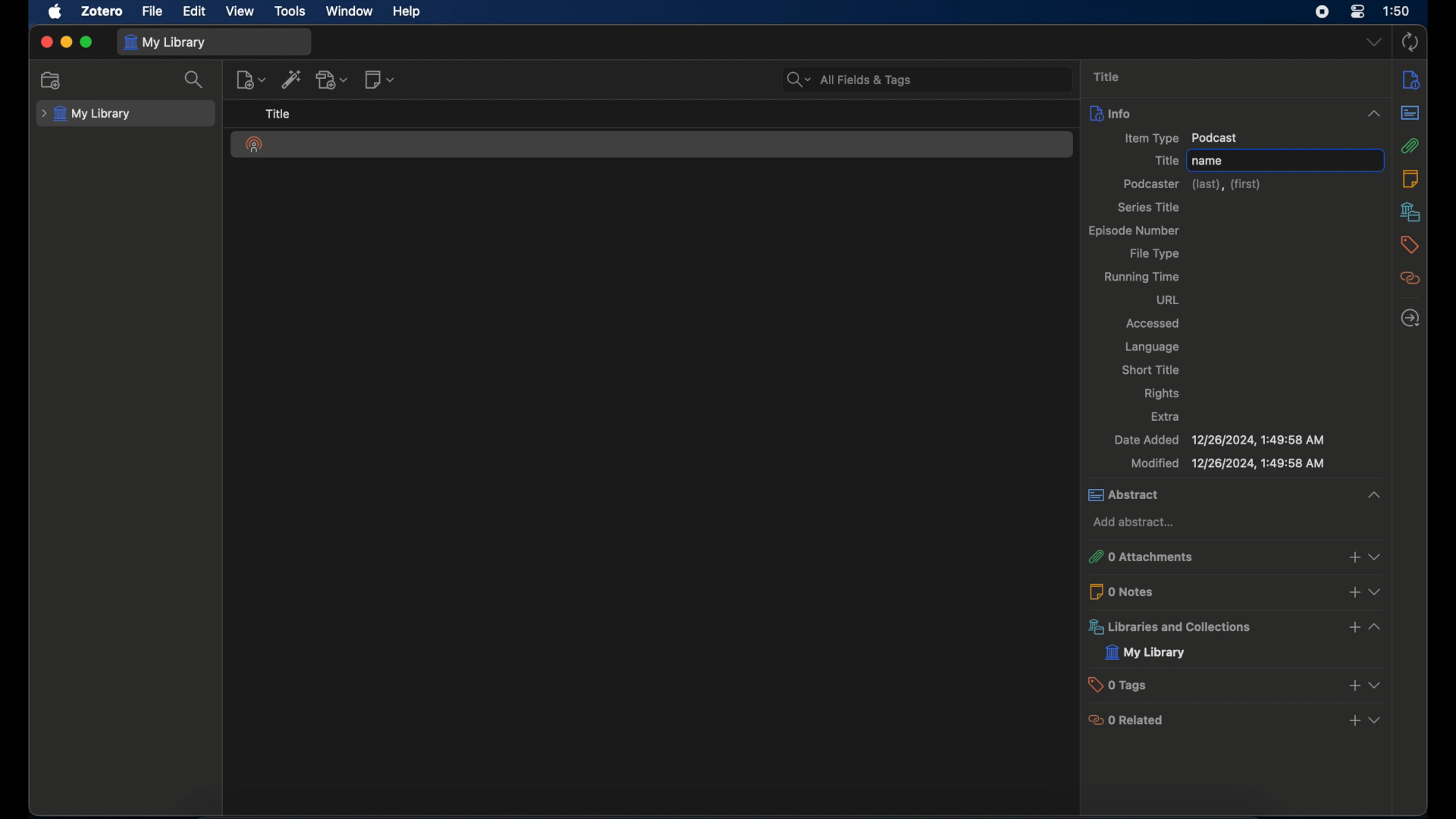 The height and width of the screenshot is (819, 1456). What do you see at coordinates (251, 80) in the screenshot?
I see `new item` at bounding box center [251, 80].